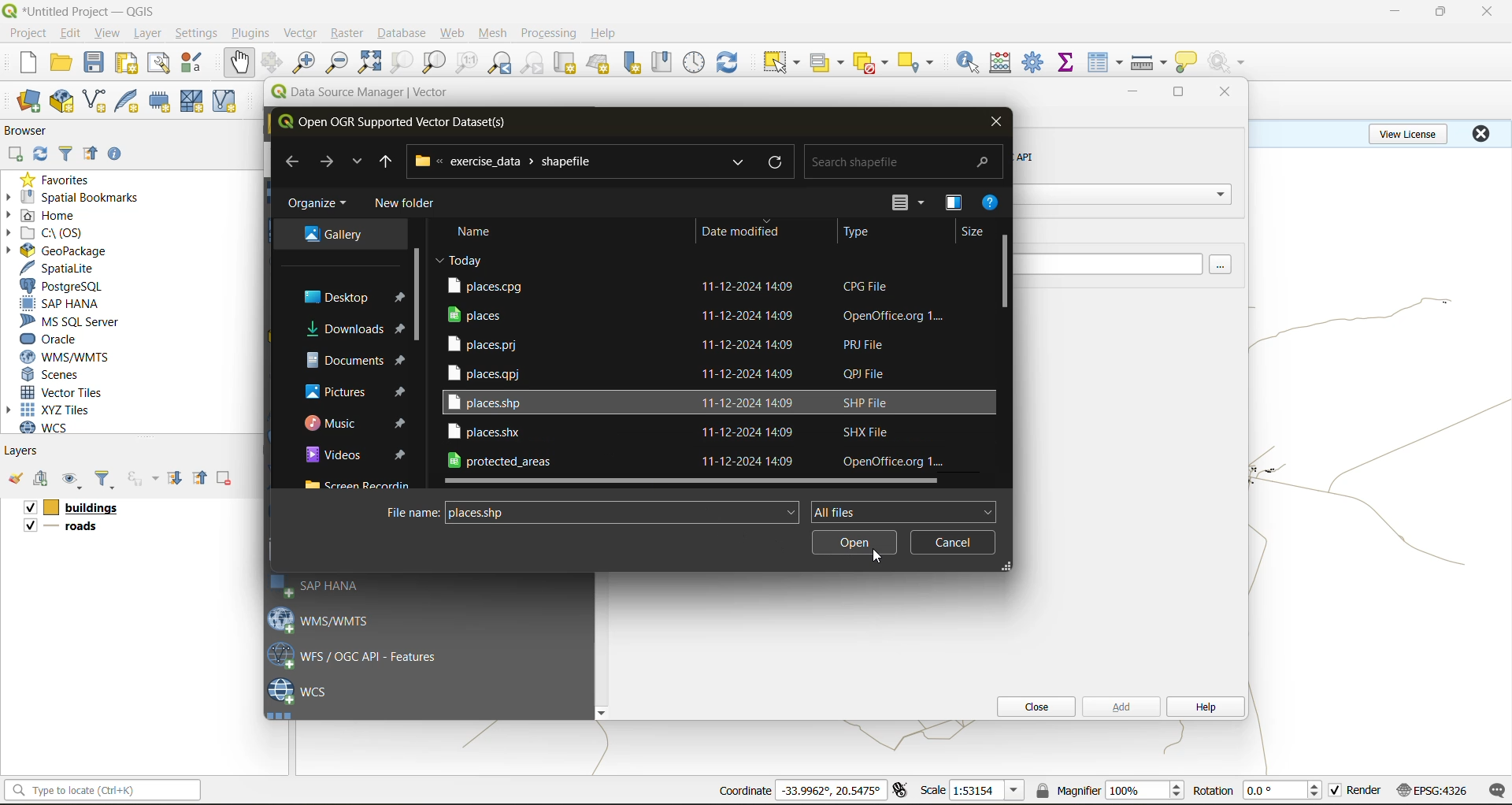 Image resolution: width=1512 pixels, height=805 pixels. Describe the element at coordinates (98, 63) in the screenshot. I see `save` at that location.